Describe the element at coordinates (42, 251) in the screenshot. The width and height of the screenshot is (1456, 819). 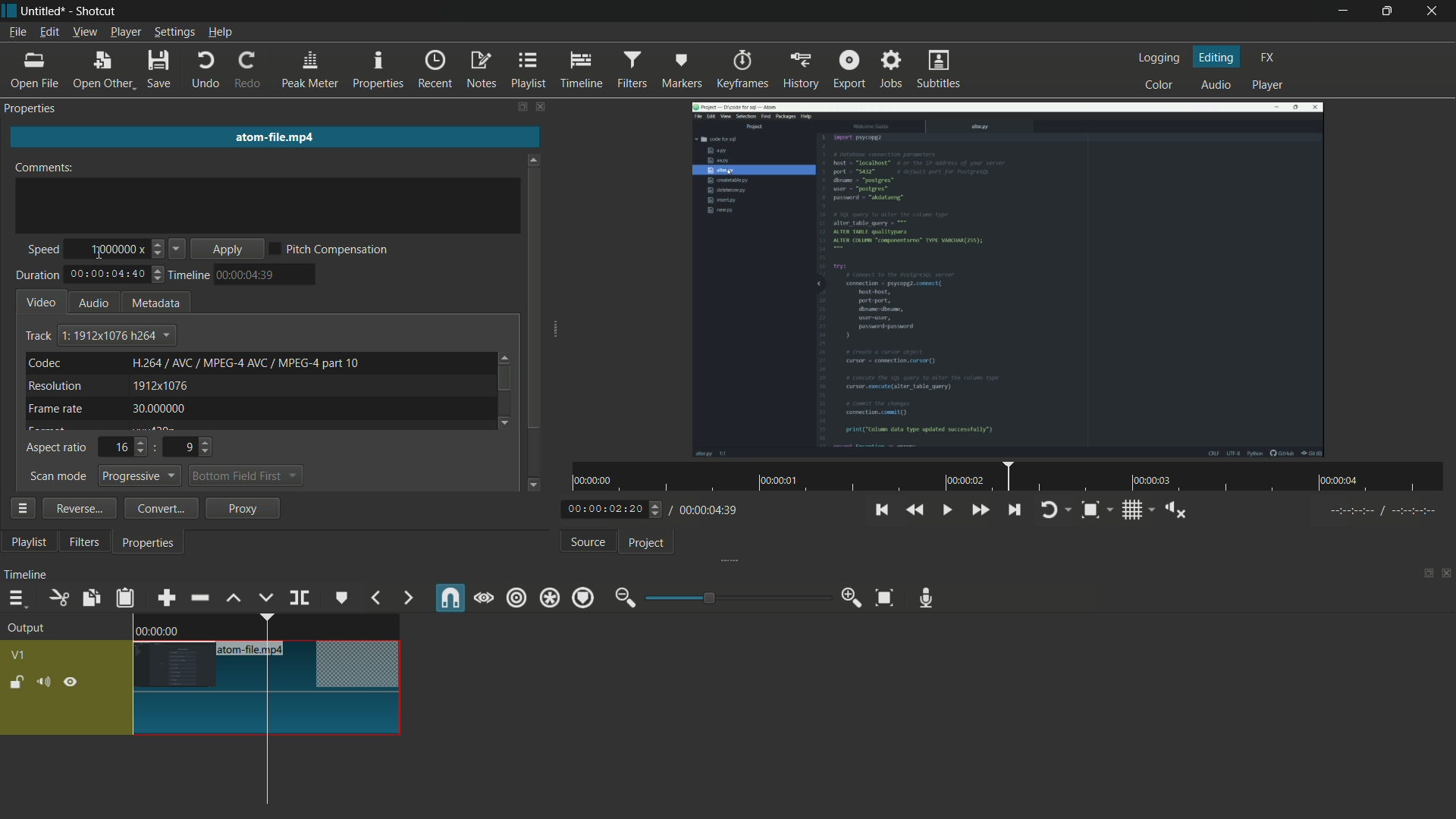
I see `speed` at that location.